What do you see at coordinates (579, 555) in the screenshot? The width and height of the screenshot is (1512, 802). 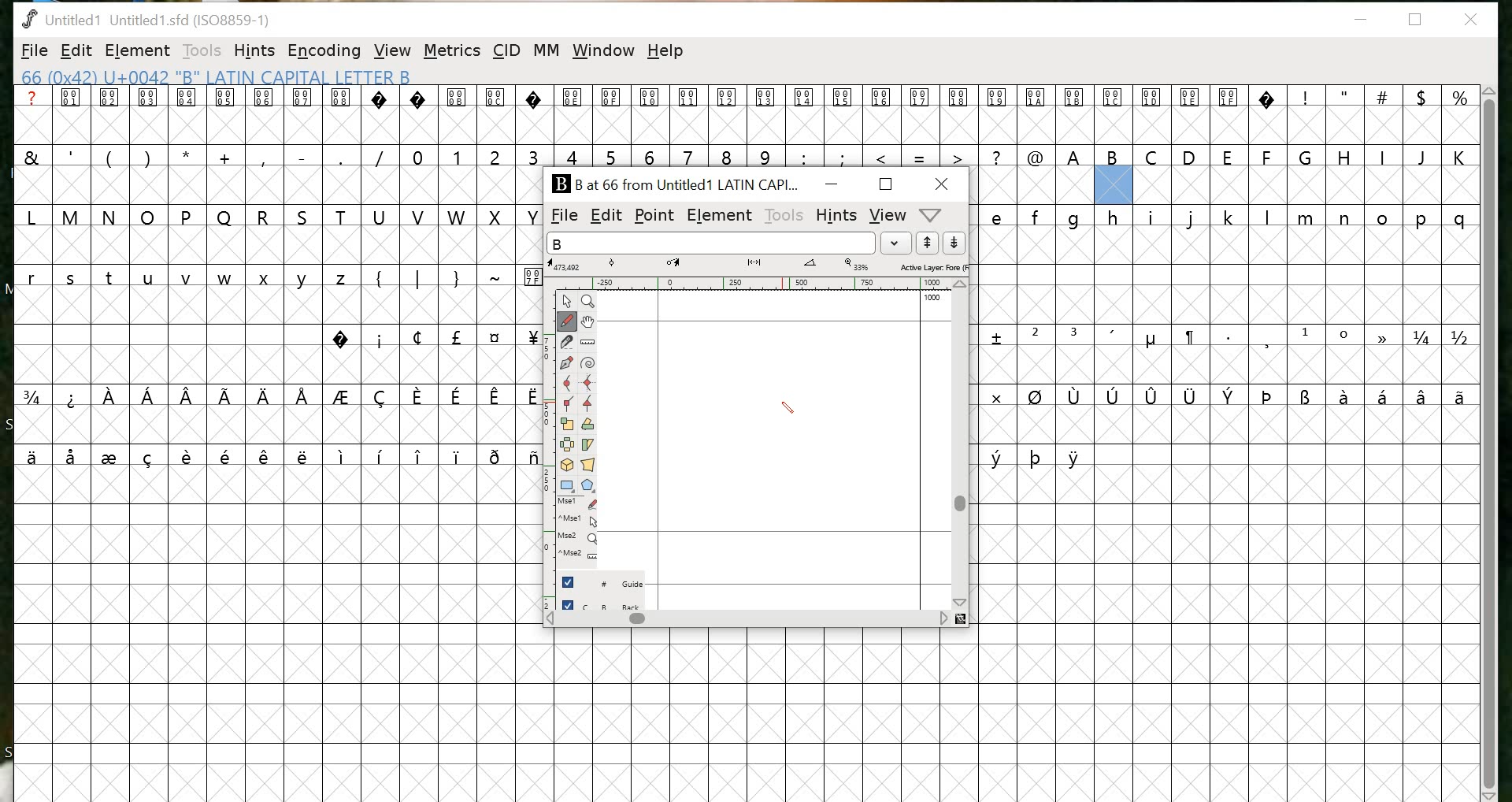 I see `Mouse wheel button + Ctrl` at bounding box center [579, 555].